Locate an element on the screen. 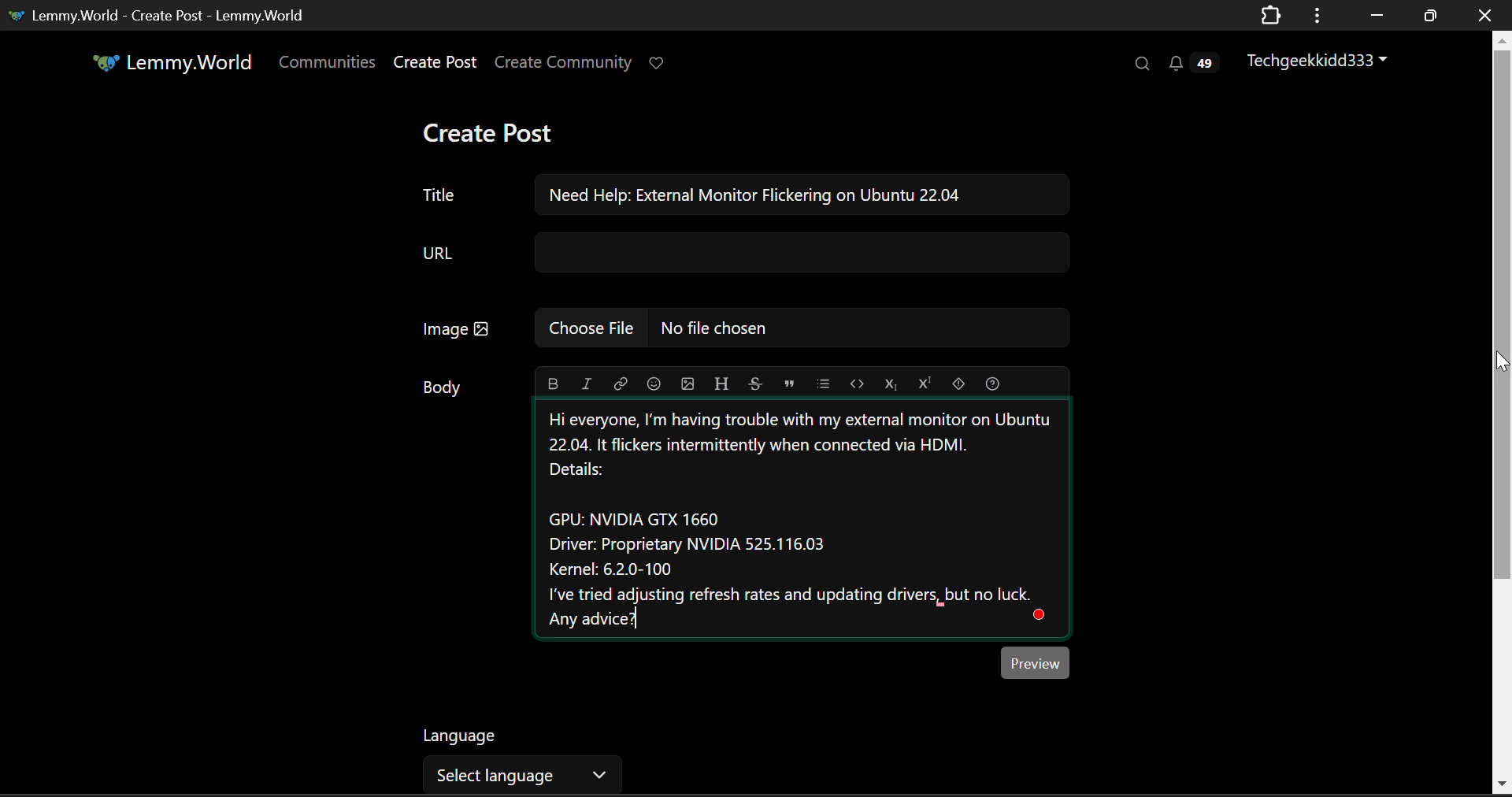 This screenshot has height=797, width=1512. Header is located at coordinates (721, 384).